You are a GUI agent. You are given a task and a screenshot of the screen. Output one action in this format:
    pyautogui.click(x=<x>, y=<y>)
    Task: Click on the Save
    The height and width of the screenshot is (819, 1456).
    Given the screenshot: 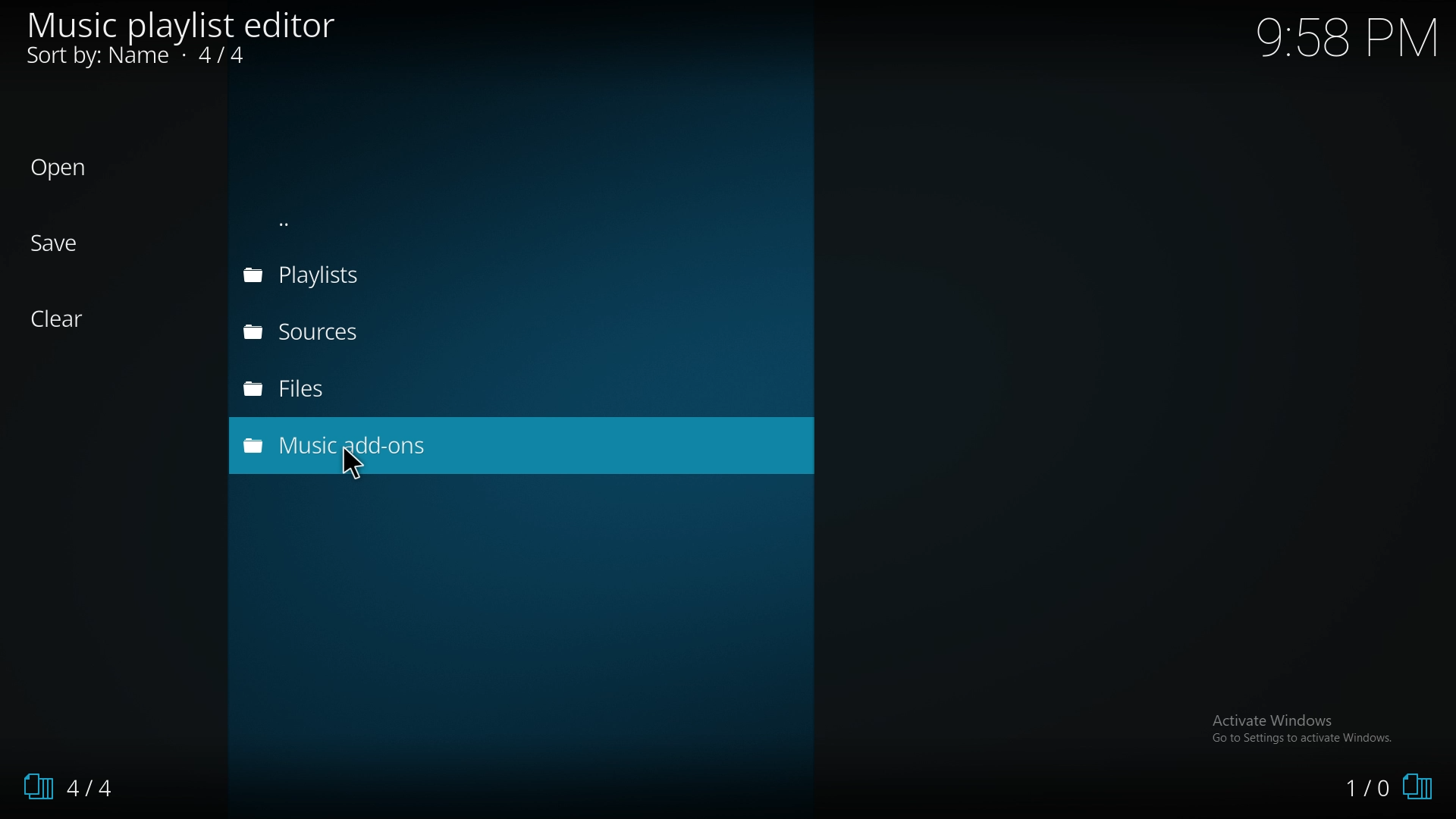 What is the action you would take?
    pyautogui.click(x=57, y=243)
    